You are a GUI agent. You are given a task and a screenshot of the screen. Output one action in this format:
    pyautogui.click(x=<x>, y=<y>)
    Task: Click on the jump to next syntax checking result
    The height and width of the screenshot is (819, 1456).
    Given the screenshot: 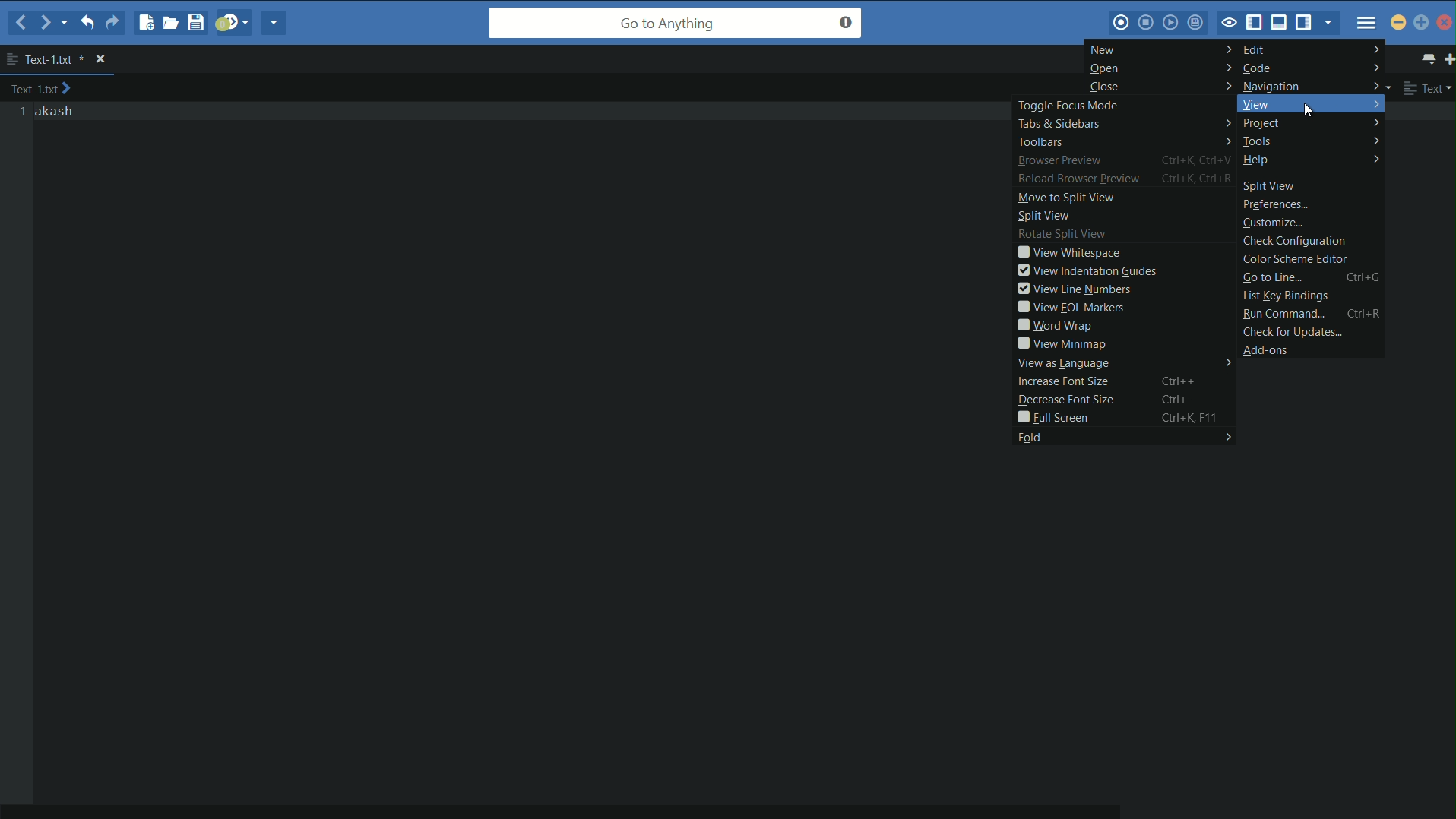 What is the action you would take?
    pyautogui.click(x=233, y=21)
    